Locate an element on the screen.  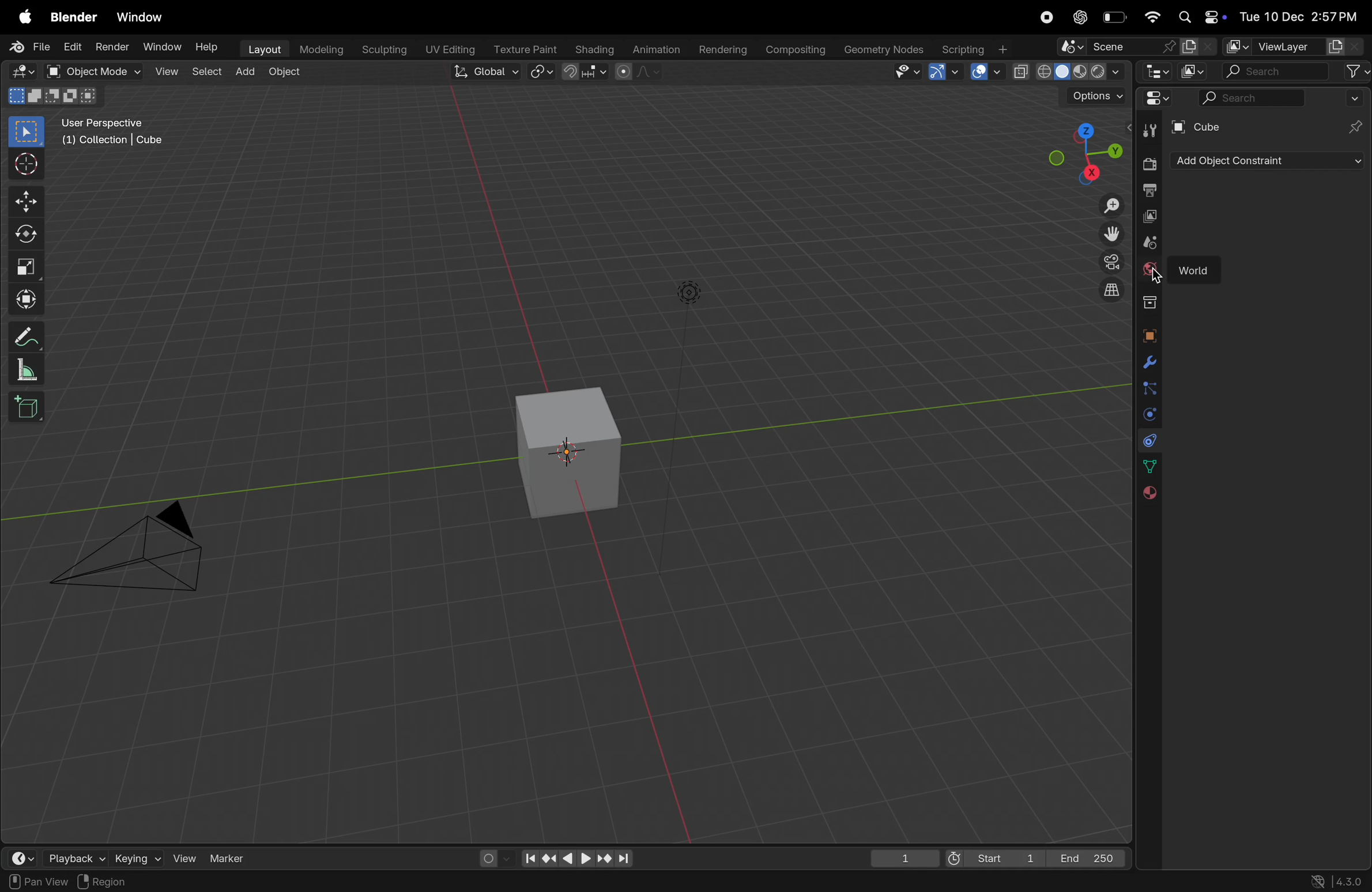
pin is located at coordinates (1352, 126).